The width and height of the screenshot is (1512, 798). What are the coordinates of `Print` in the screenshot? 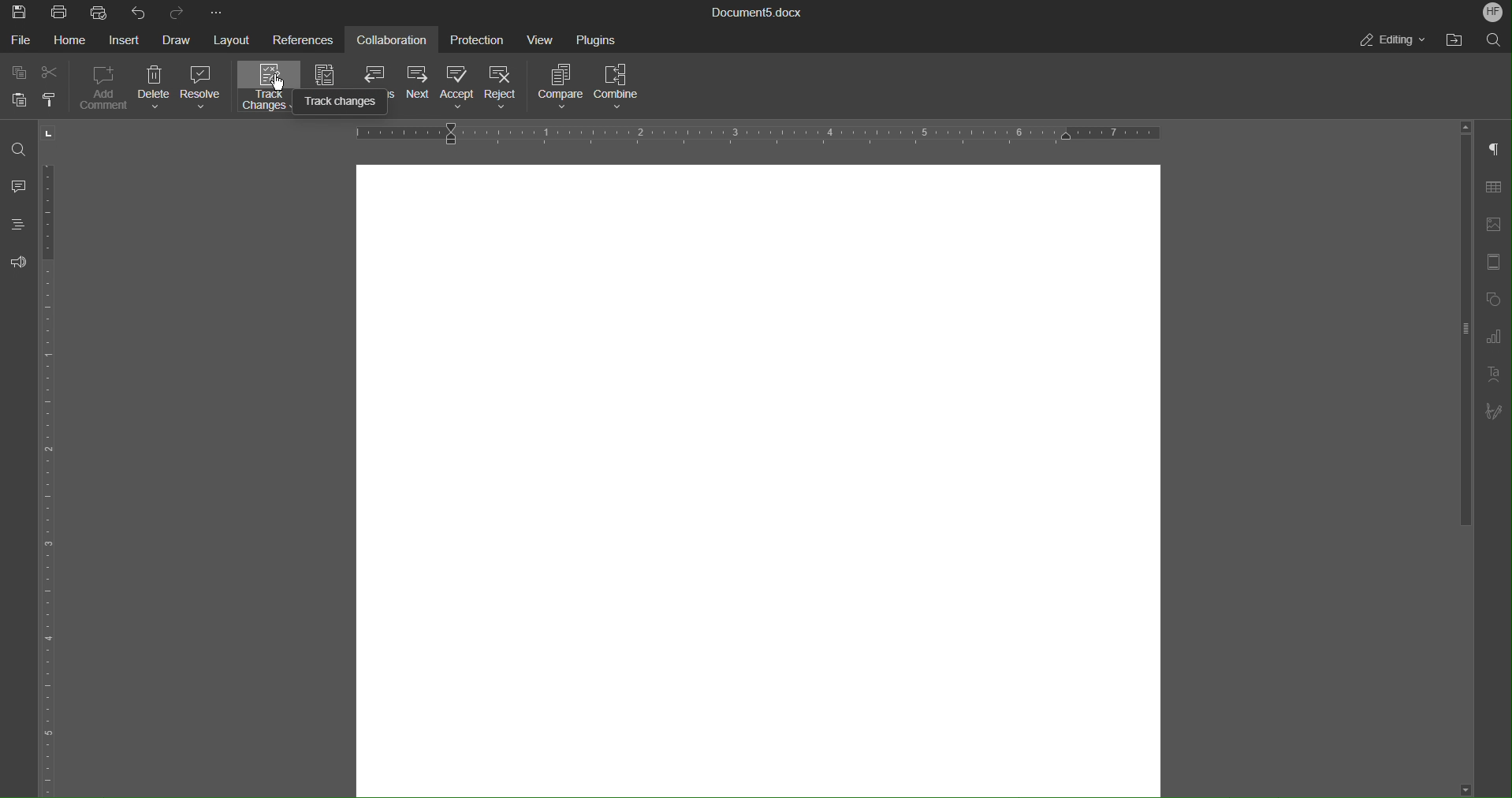 It's located at (63, 13).